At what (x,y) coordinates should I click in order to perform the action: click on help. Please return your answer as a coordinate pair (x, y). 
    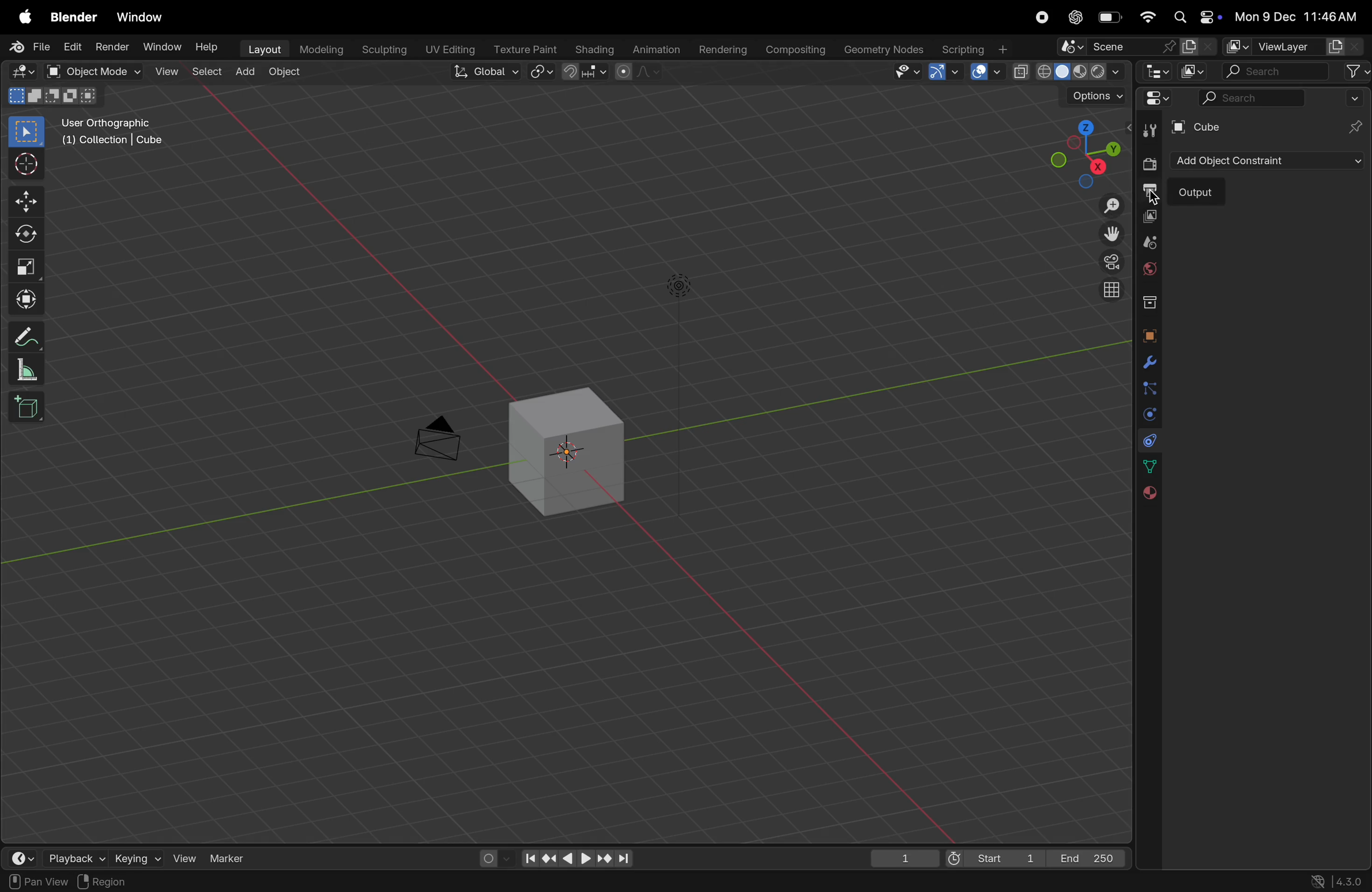
    Looking at the image, I should click on (207, 47).